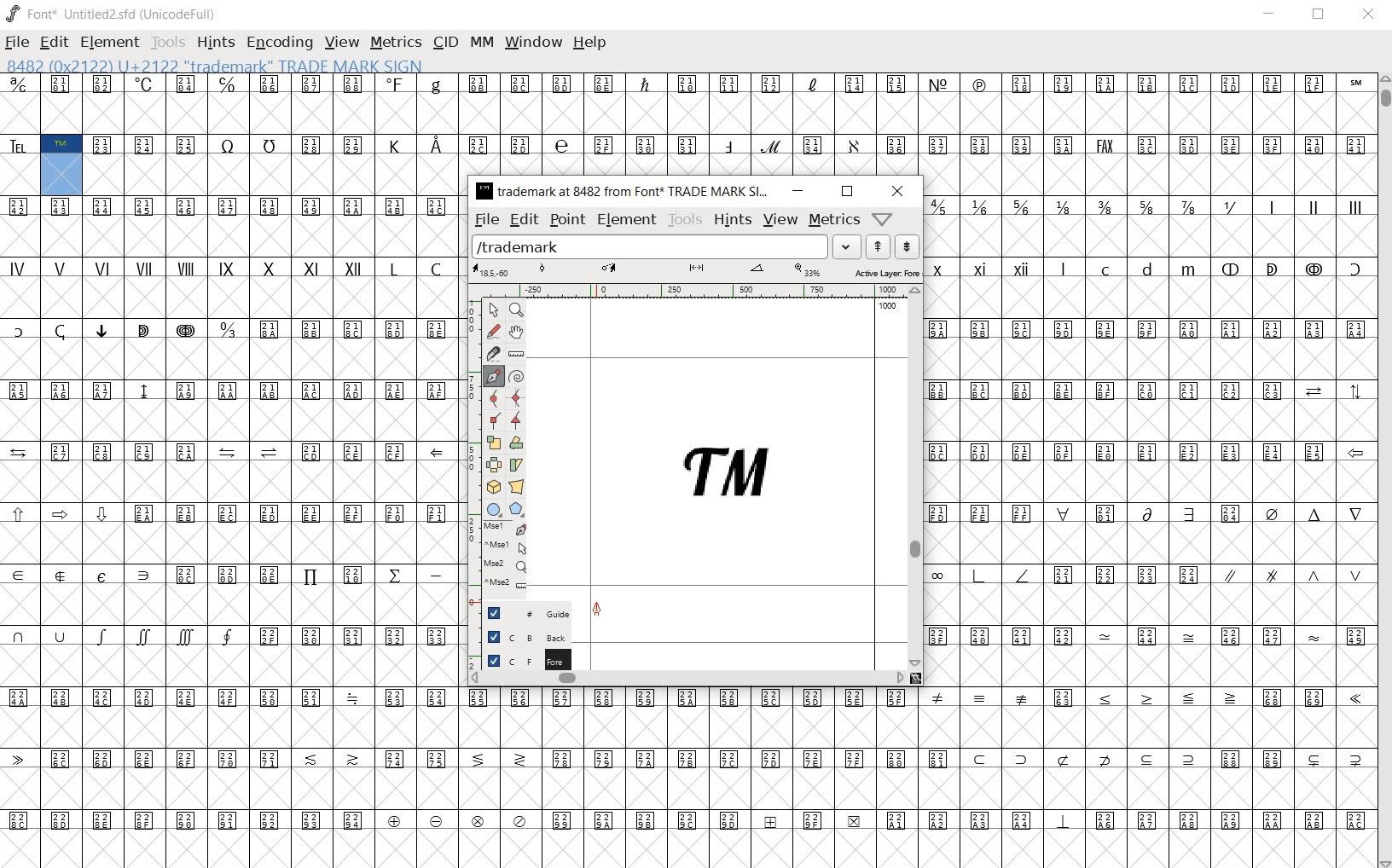 This screenshot has height=868, width=1392. I want to click on TOOLS, so click(167, 42).